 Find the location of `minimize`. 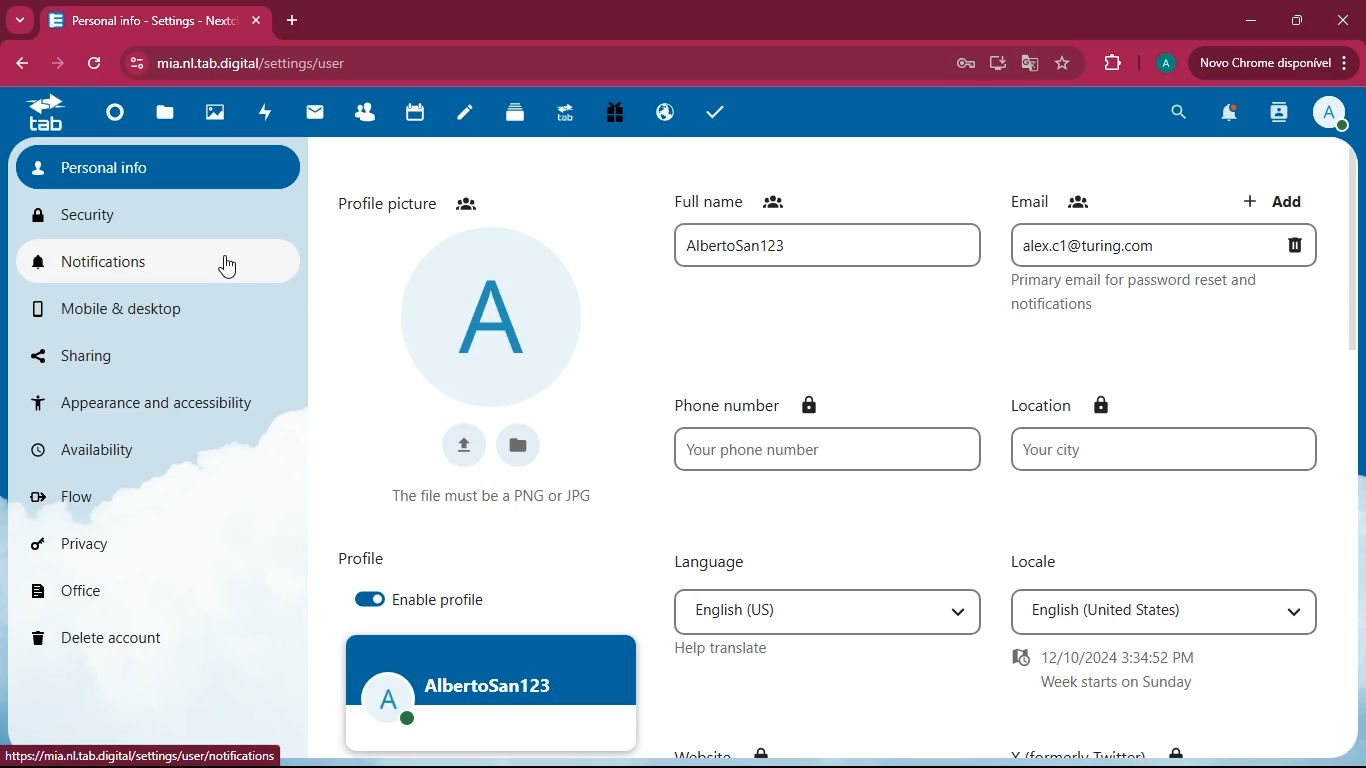

minimize is located at coordinates (1247, 25).